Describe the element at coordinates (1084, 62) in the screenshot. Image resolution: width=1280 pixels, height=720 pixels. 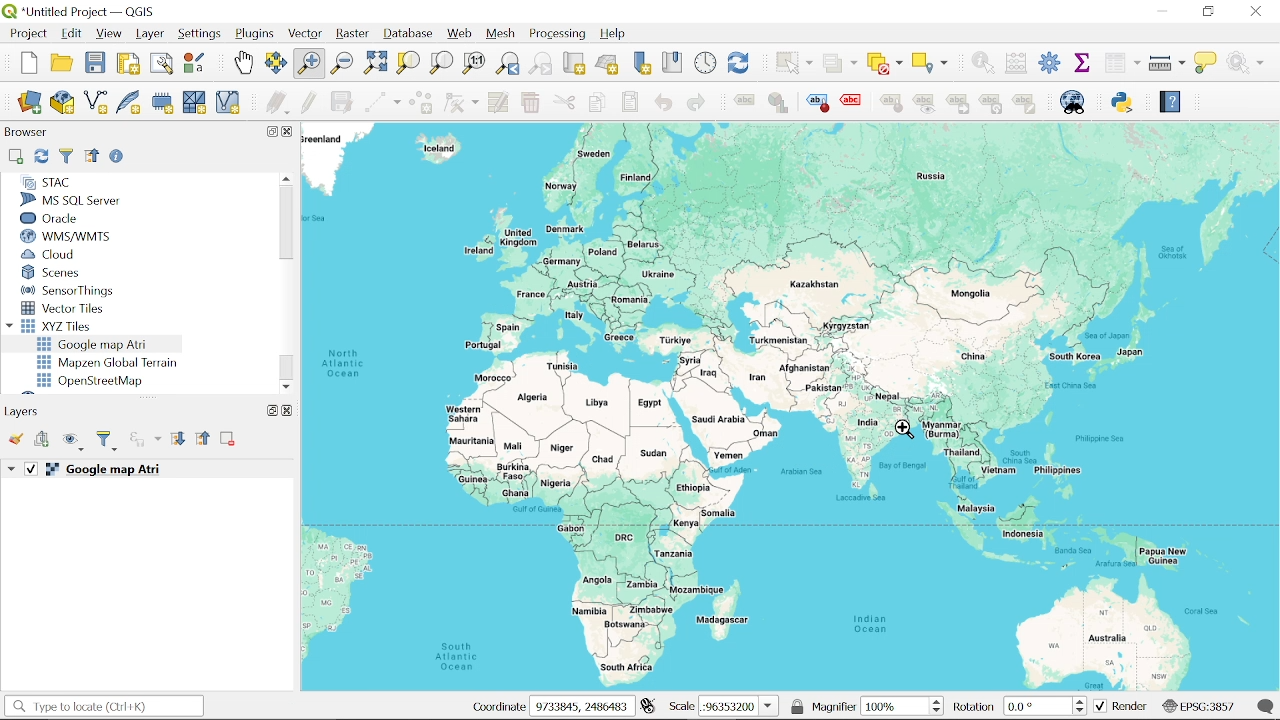
I see `Show statistical summary` at that location.